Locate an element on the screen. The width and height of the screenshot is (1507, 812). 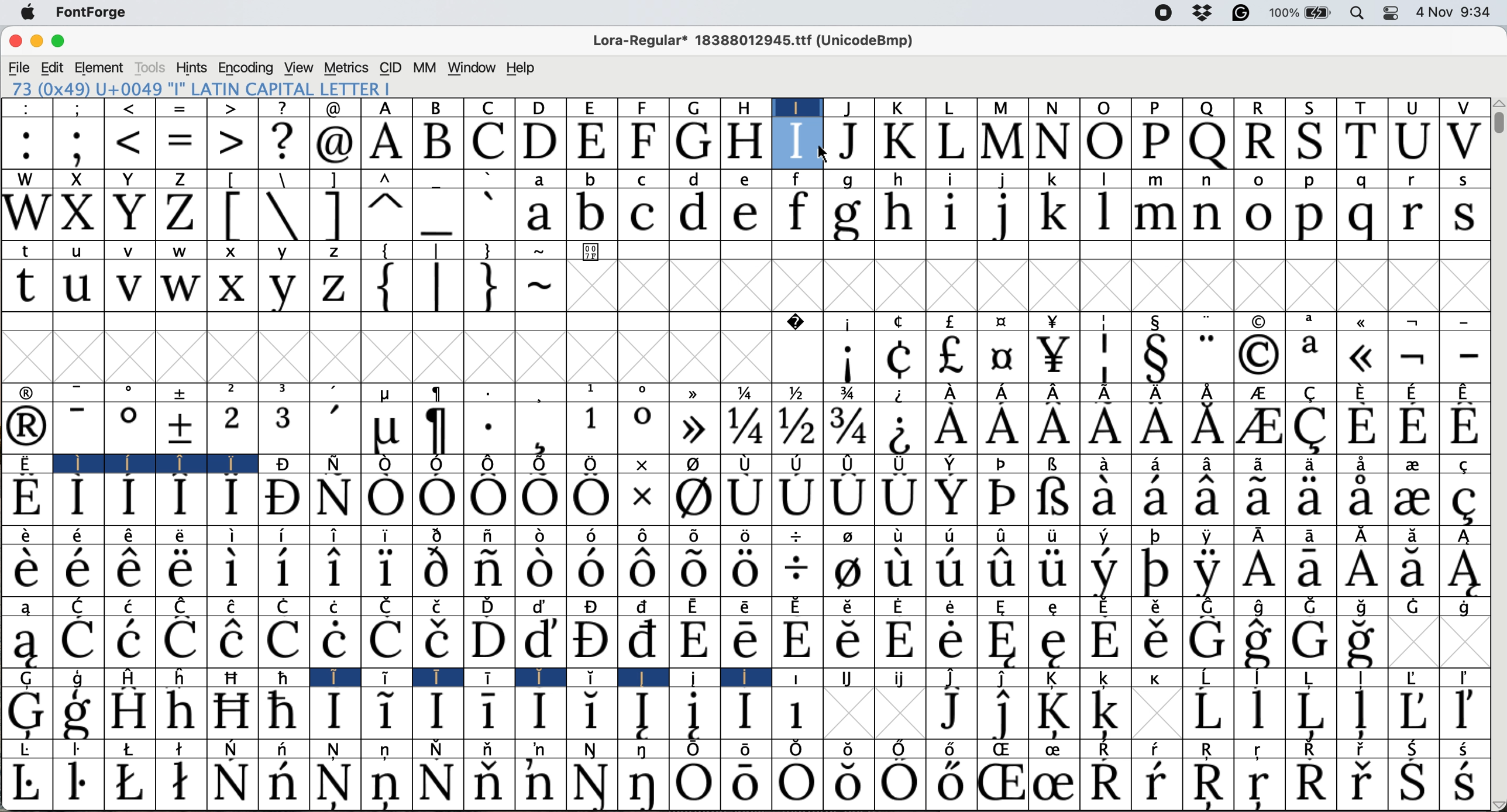
Symbol is located at coordinates (1261, 750).